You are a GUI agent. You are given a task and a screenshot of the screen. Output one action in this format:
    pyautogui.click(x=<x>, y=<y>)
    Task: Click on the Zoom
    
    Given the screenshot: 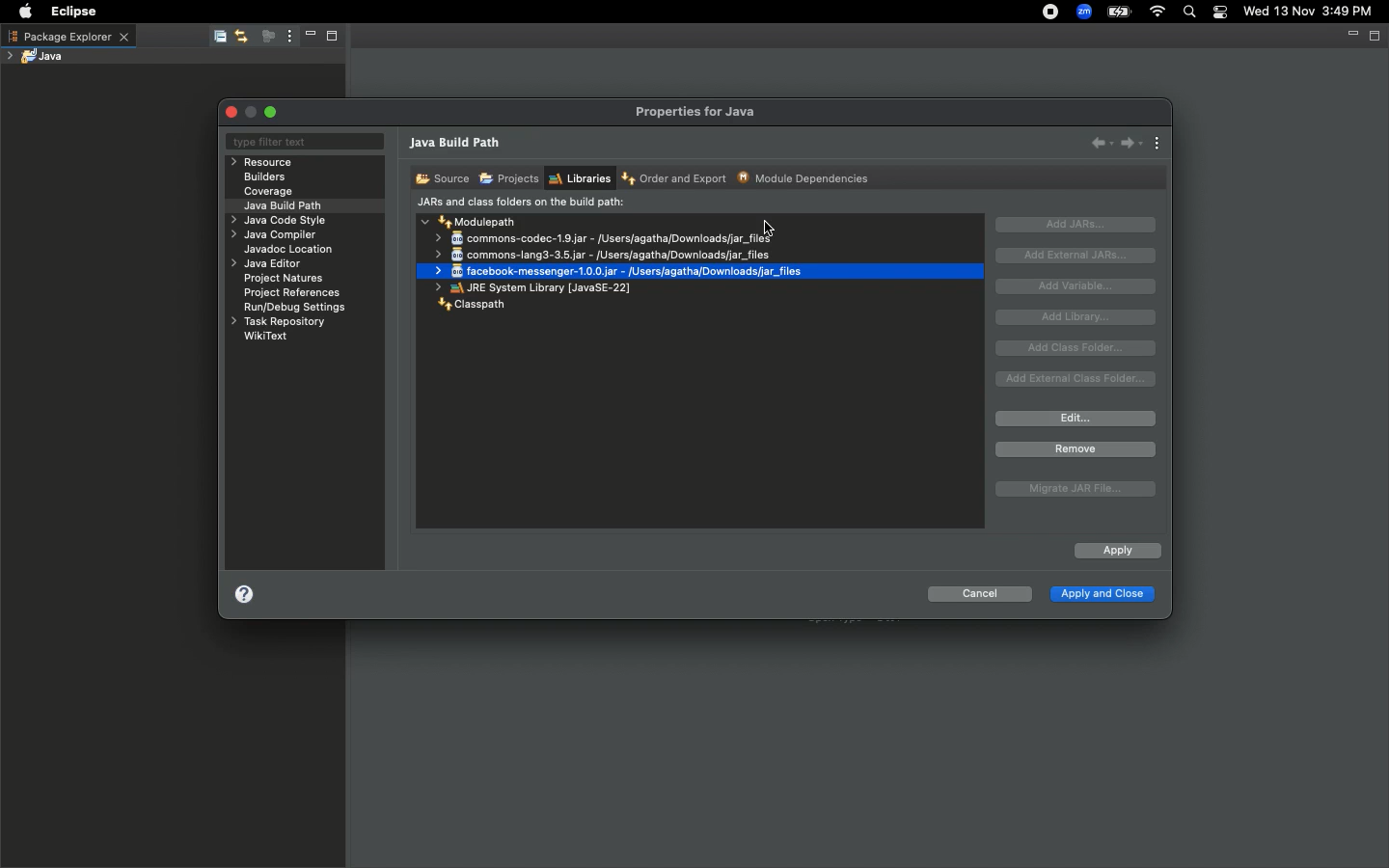 What is the action you would take?
    pyautogui.click(x=1085, y=12)
    